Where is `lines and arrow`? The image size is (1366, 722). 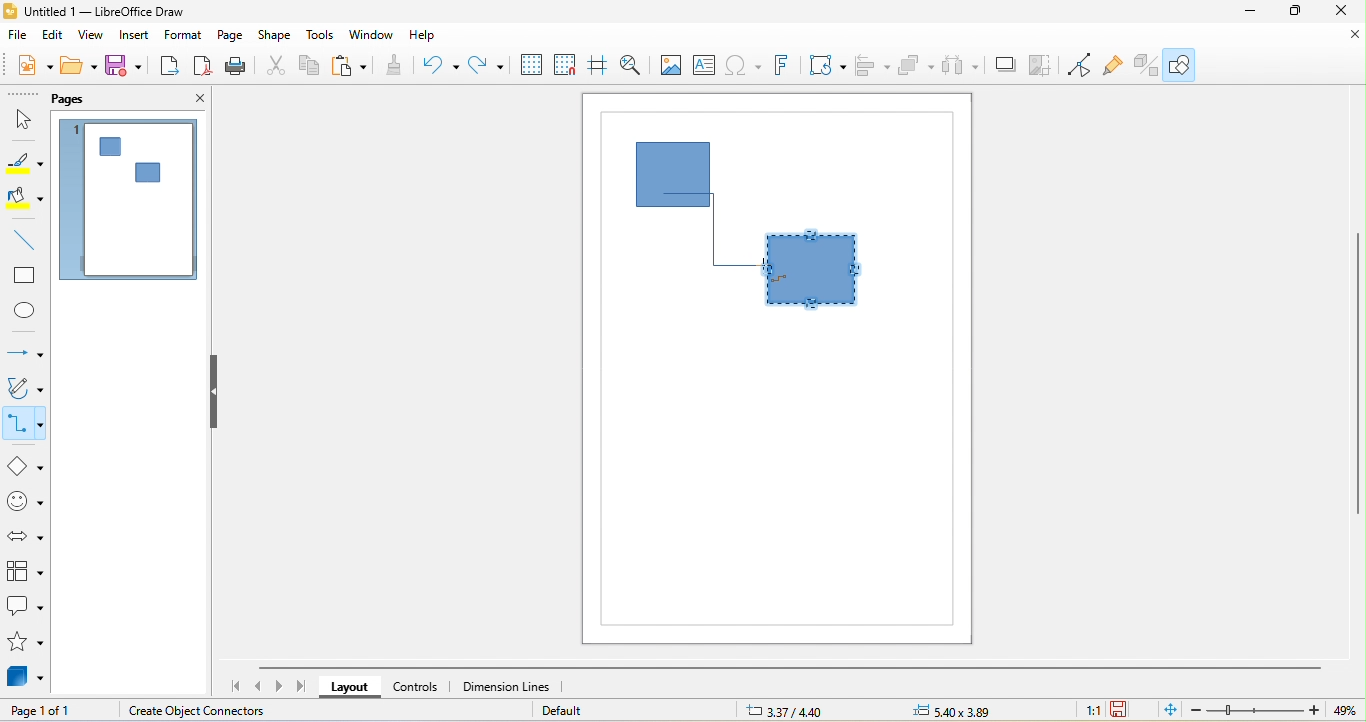 lines and arrow is located at coordinates (24, 352).